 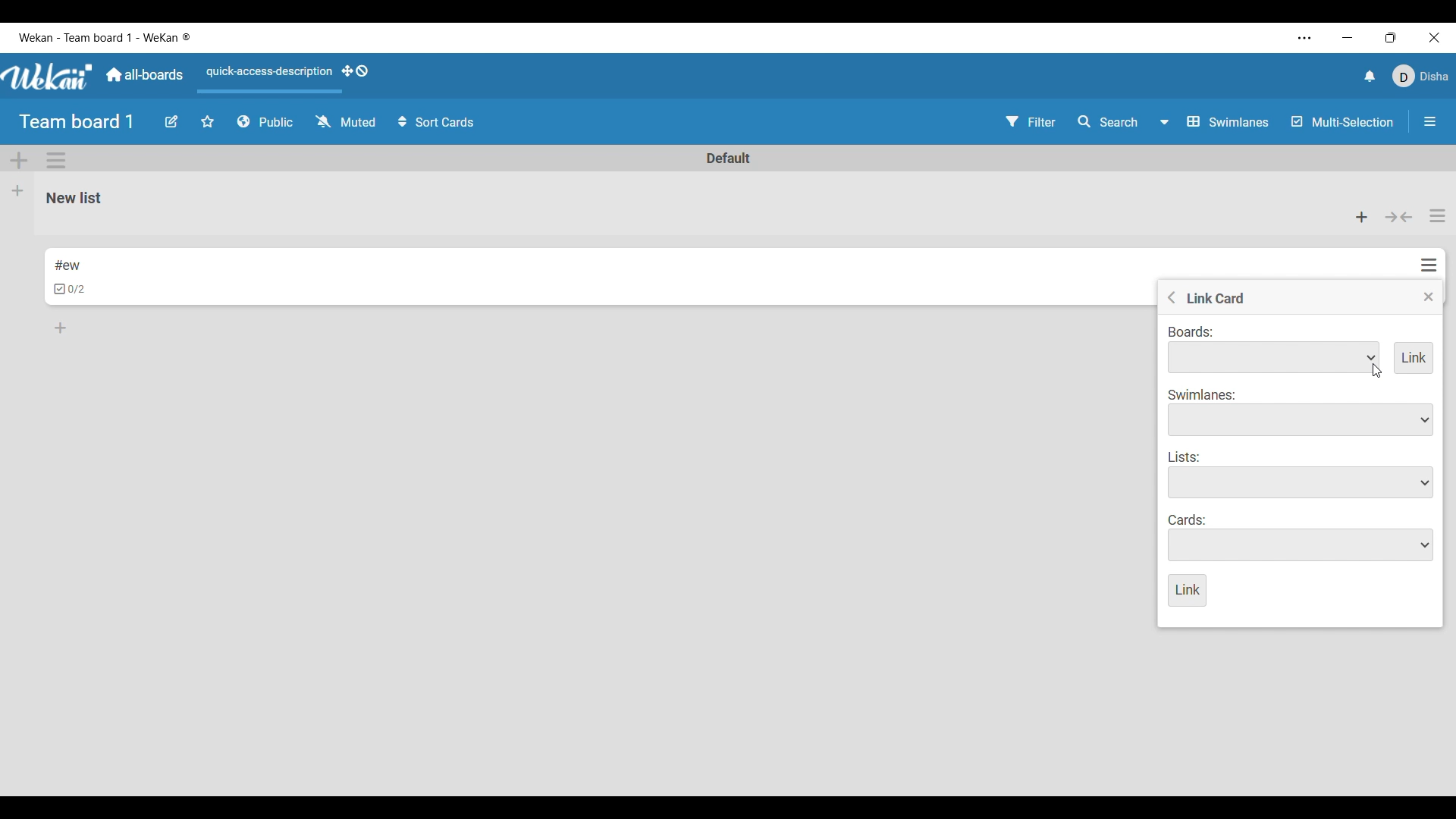 I want to click on Notifications, so click(x=1370, y=76).